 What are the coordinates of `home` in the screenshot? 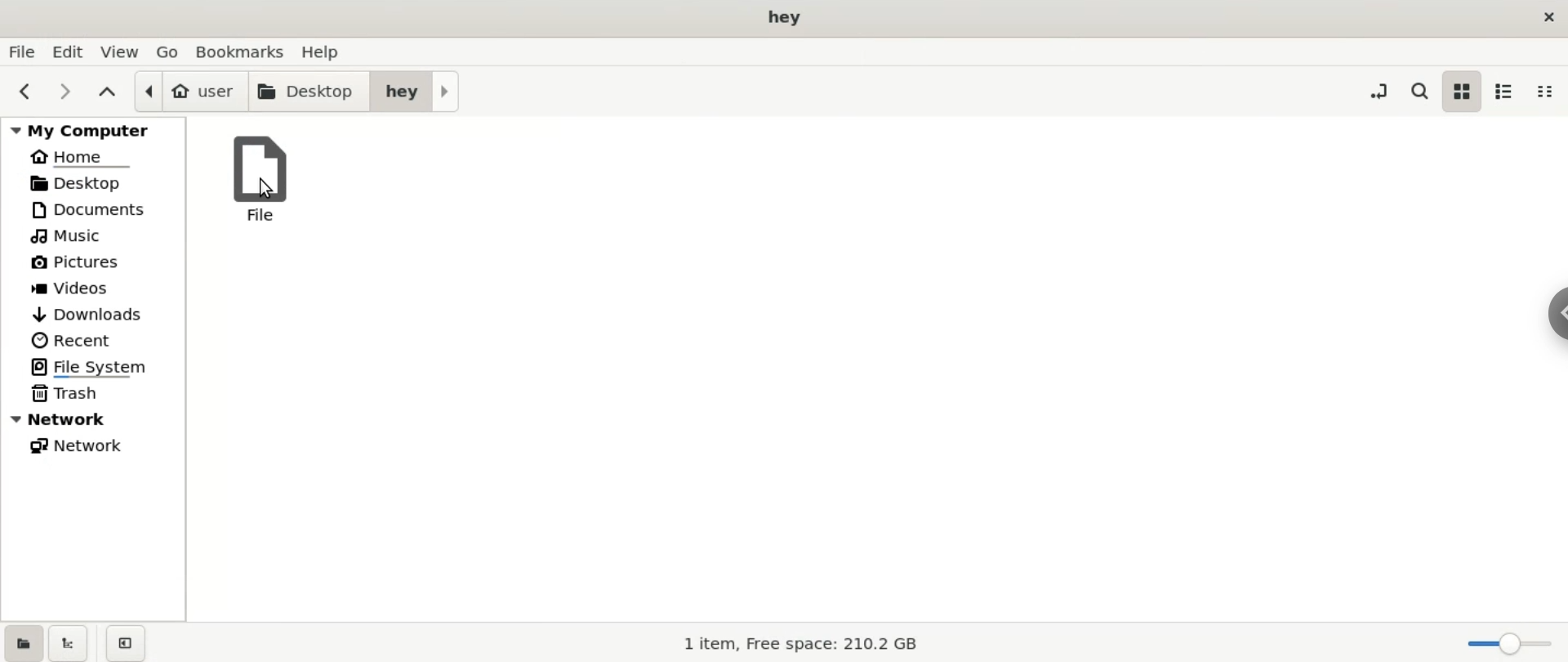 It's located at (94, 157).